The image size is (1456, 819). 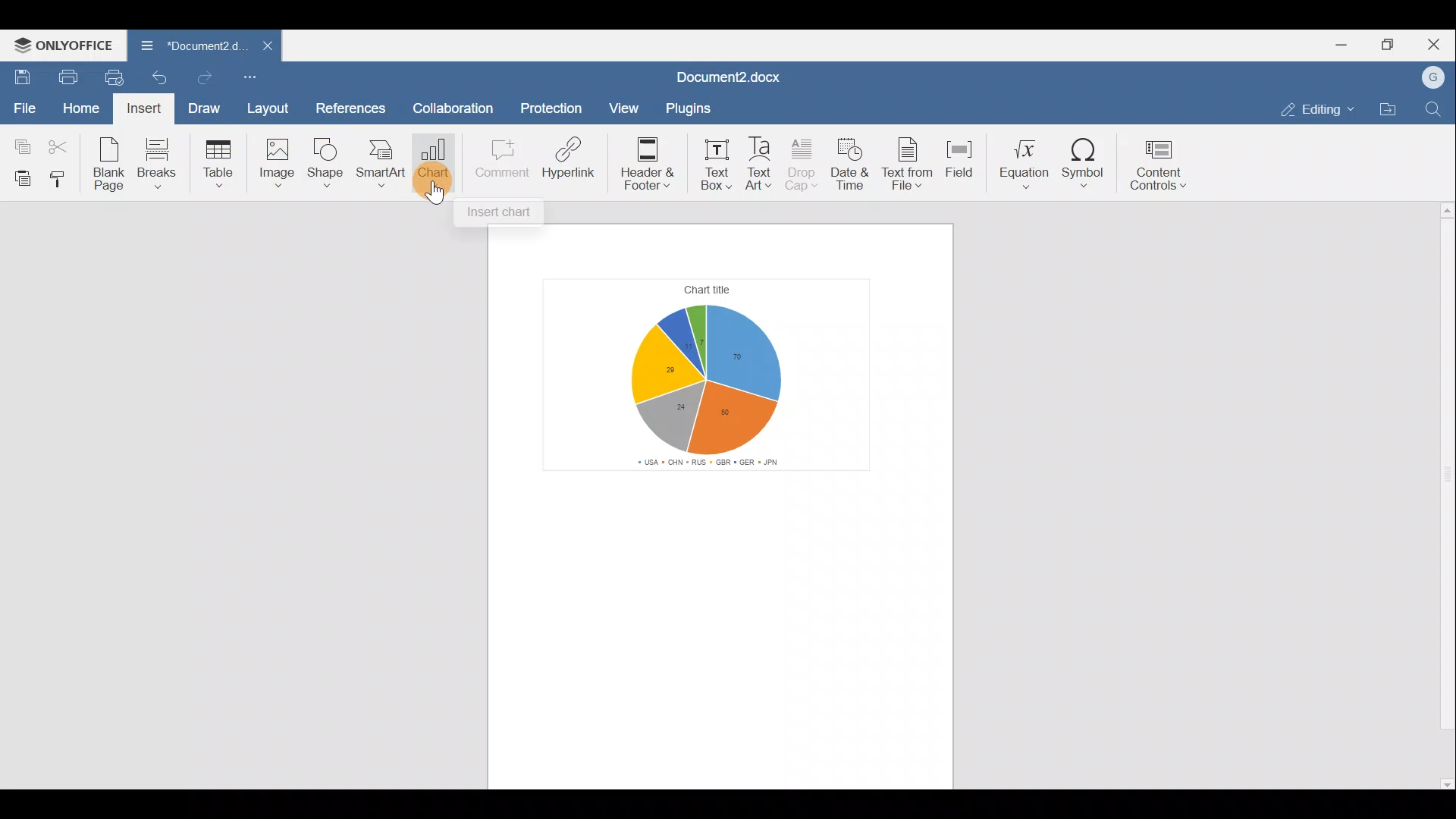 I want to click on Drop cap, so click(x=802, y=162).